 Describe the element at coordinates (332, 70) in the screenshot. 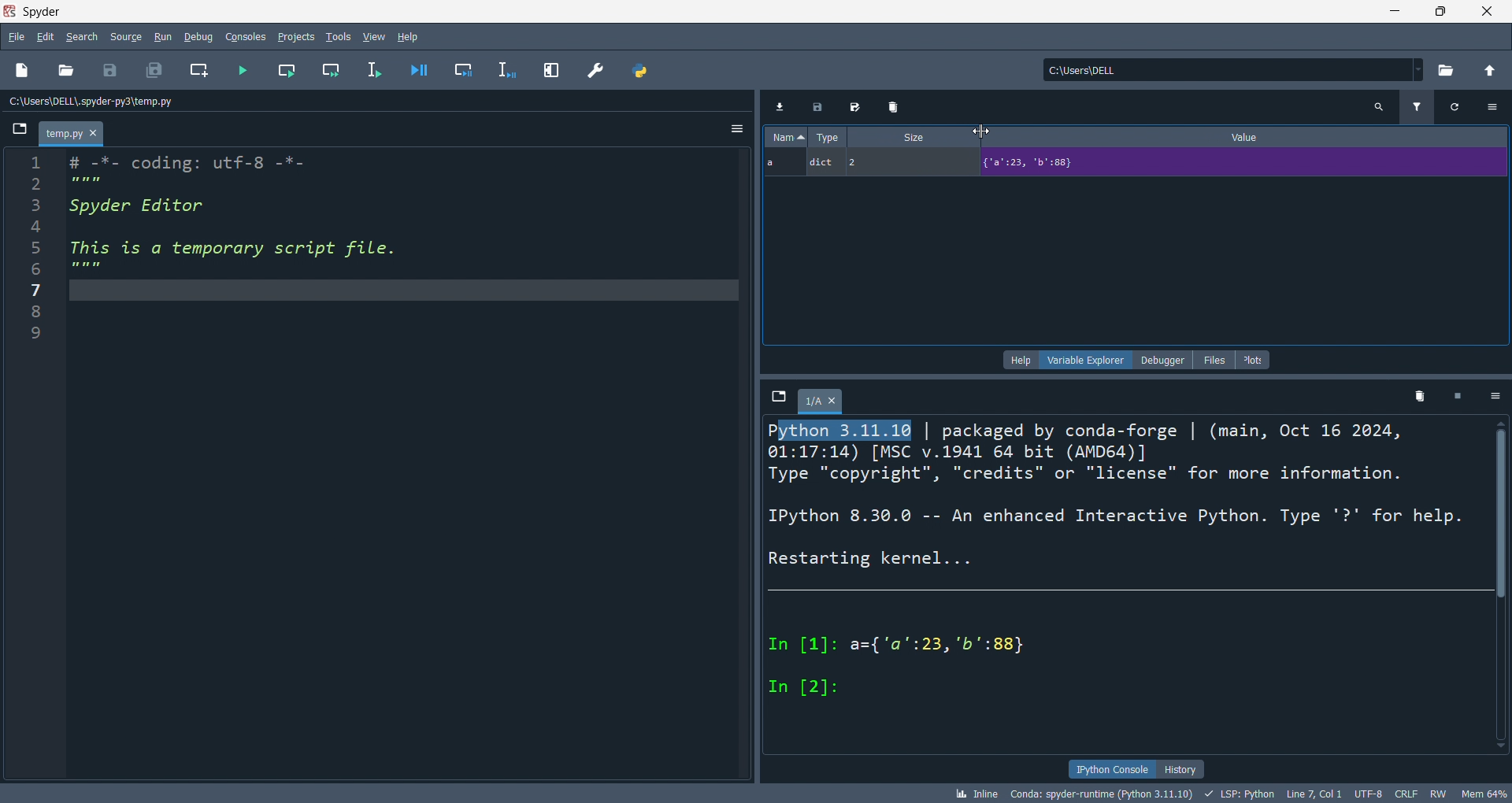

I see `run cell and move` at that location.